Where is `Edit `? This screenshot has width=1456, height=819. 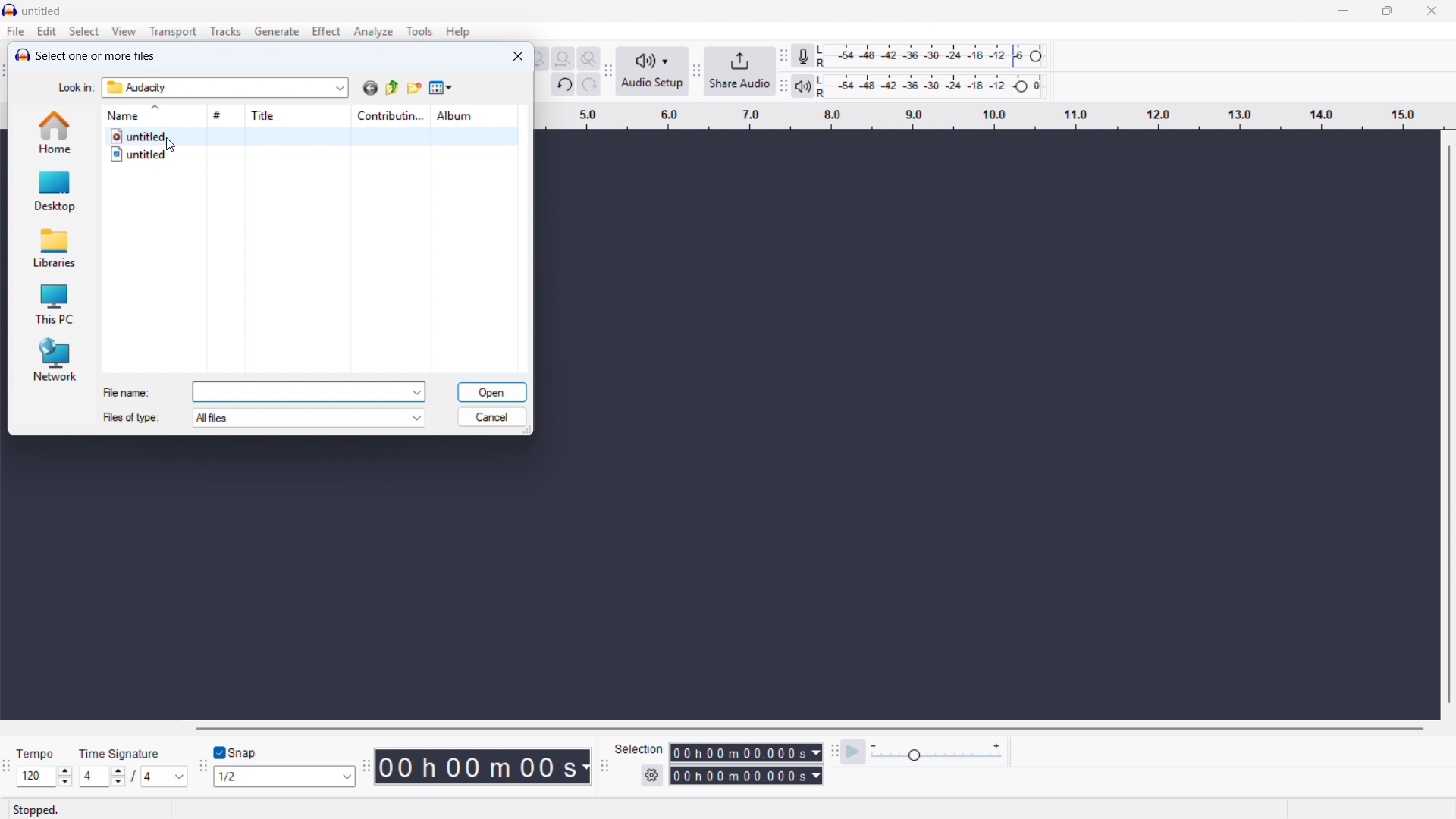 Edit  is located at coordinates (46, 32).